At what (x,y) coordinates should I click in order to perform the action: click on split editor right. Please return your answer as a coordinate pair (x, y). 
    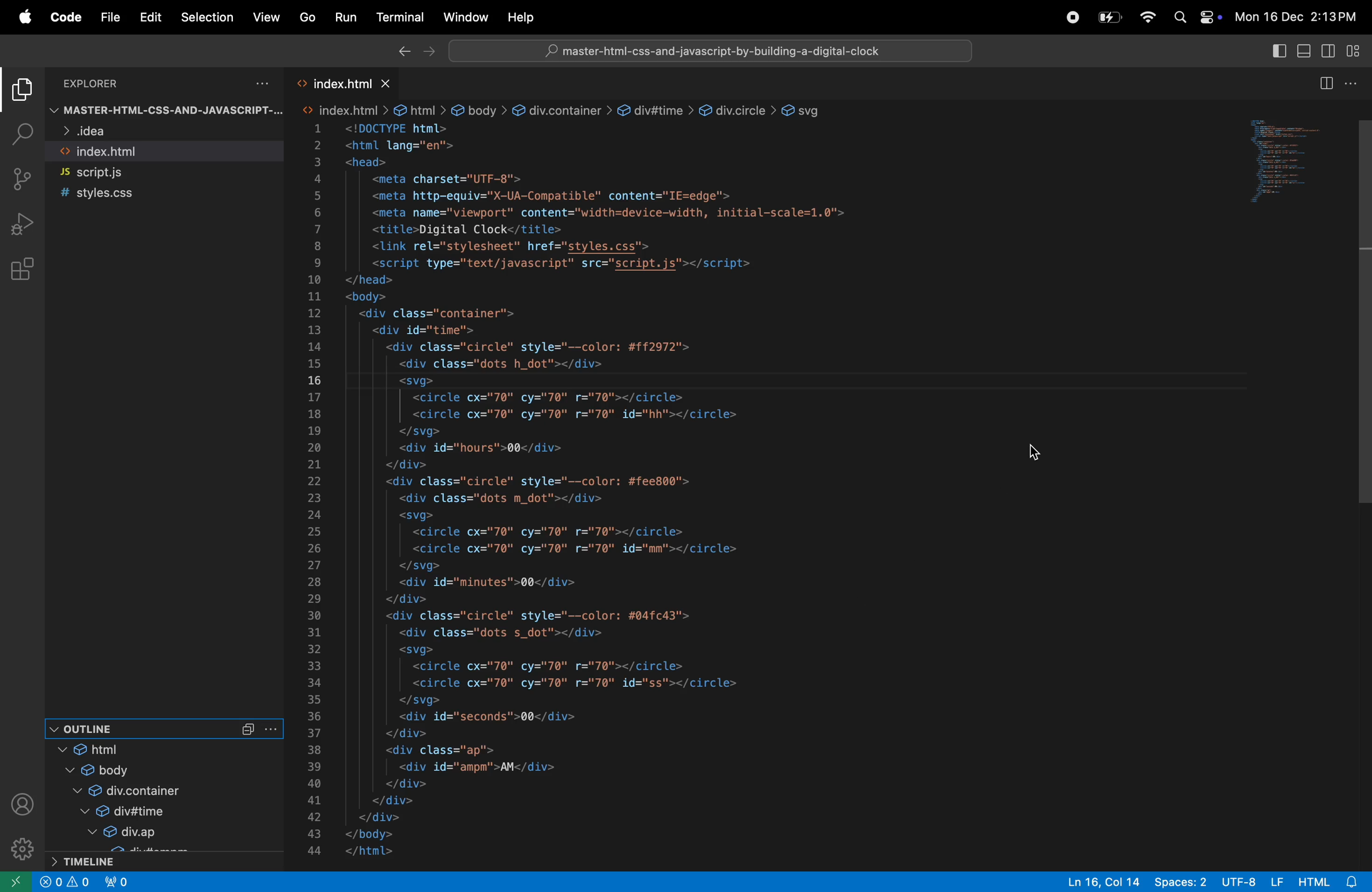
    Looking at the image, I should click on (1325, 84).